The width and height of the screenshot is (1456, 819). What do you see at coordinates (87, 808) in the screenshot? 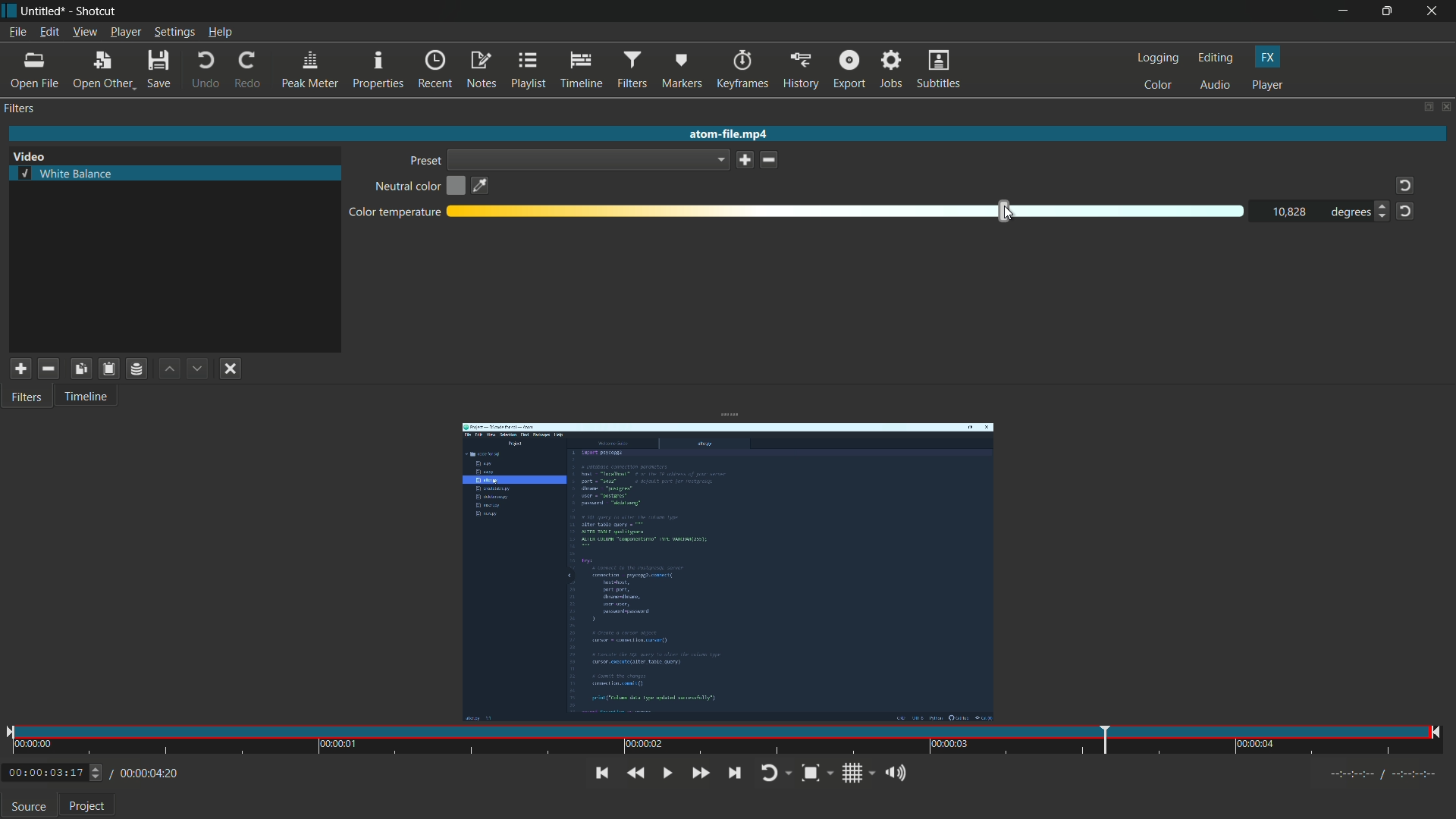
I see `project` at bounding box center [87, 808].